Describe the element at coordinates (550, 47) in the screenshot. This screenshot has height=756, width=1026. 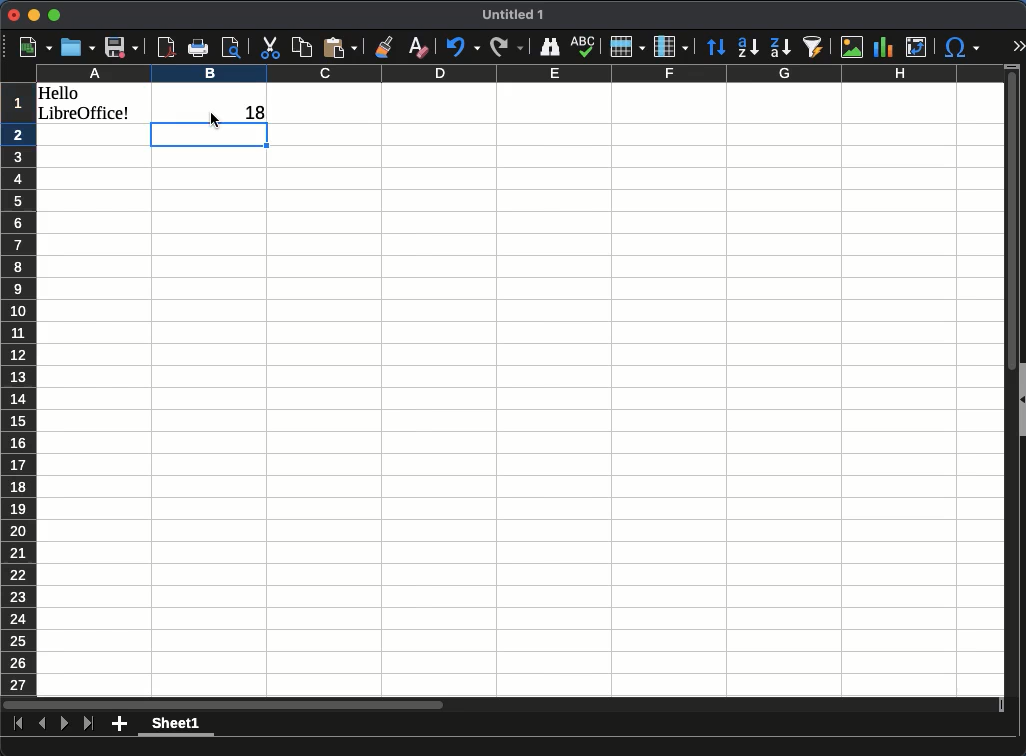
I see `finder` at that location.